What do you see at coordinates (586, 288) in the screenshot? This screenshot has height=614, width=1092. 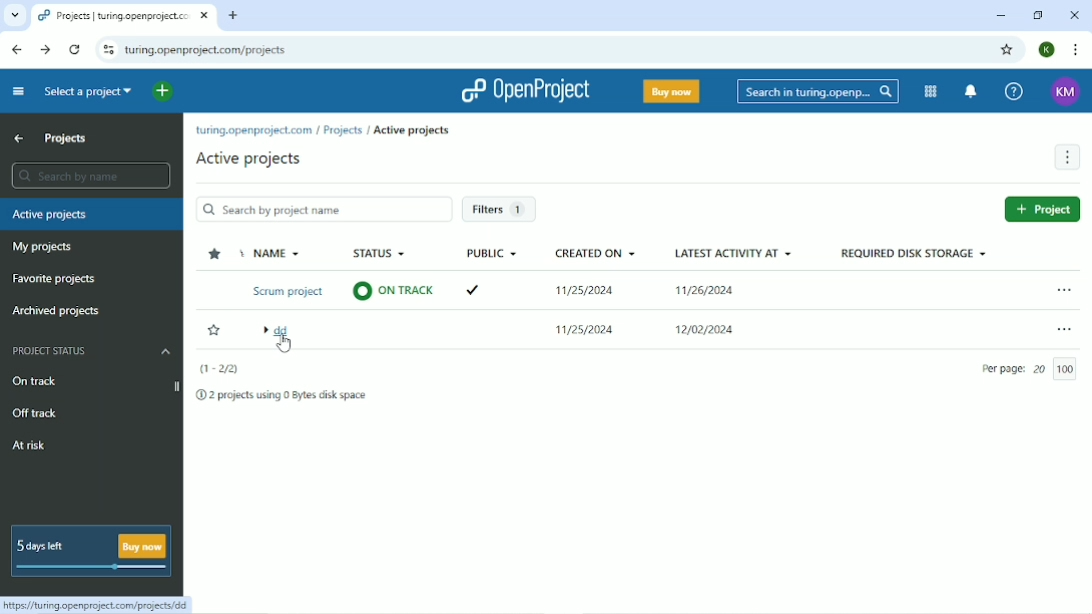 I see `11/25/2024` at bounding box center [586, 288].